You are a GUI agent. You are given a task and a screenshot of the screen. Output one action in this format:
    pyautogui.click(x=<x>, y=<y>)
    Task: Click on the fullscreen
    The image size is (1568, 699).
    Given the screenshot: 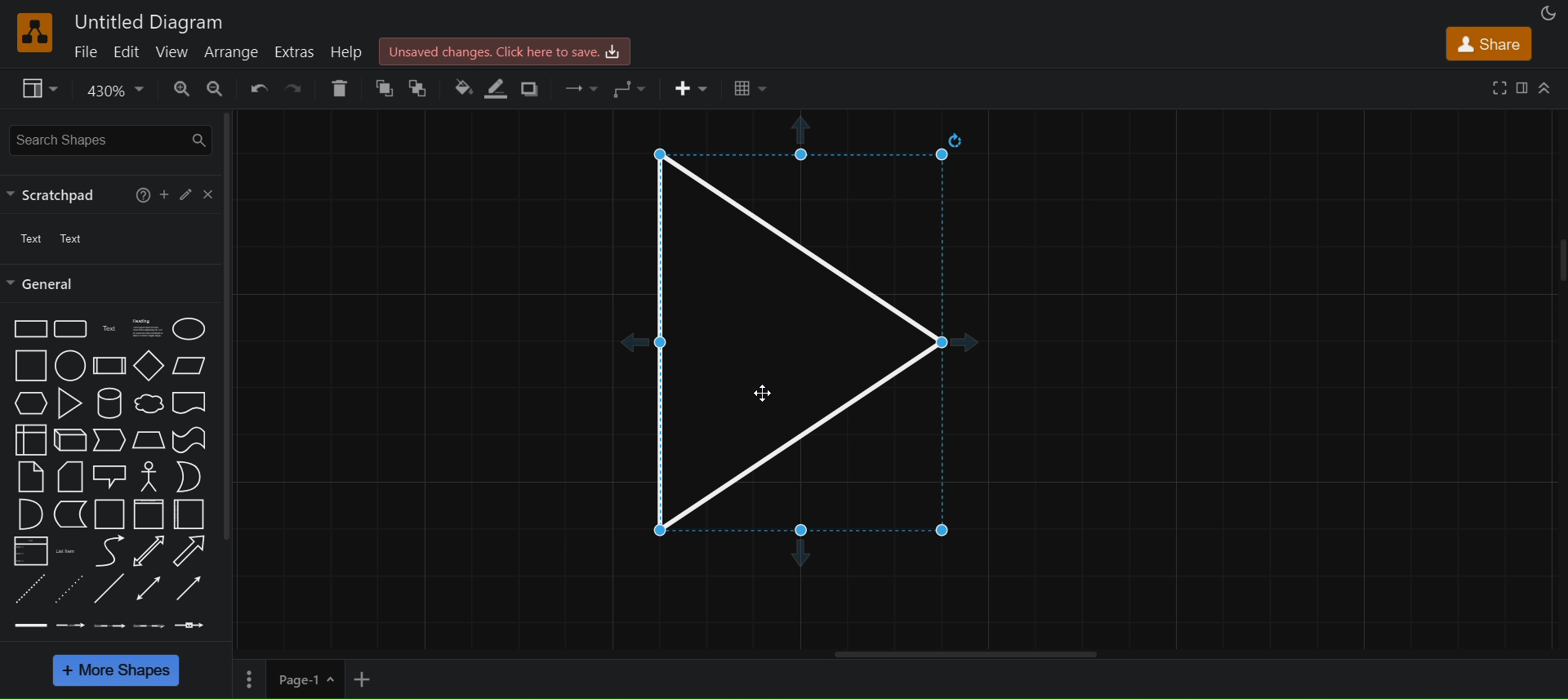 What is the action you would take?
    pyautogui.click(x=1496, y=86)
    